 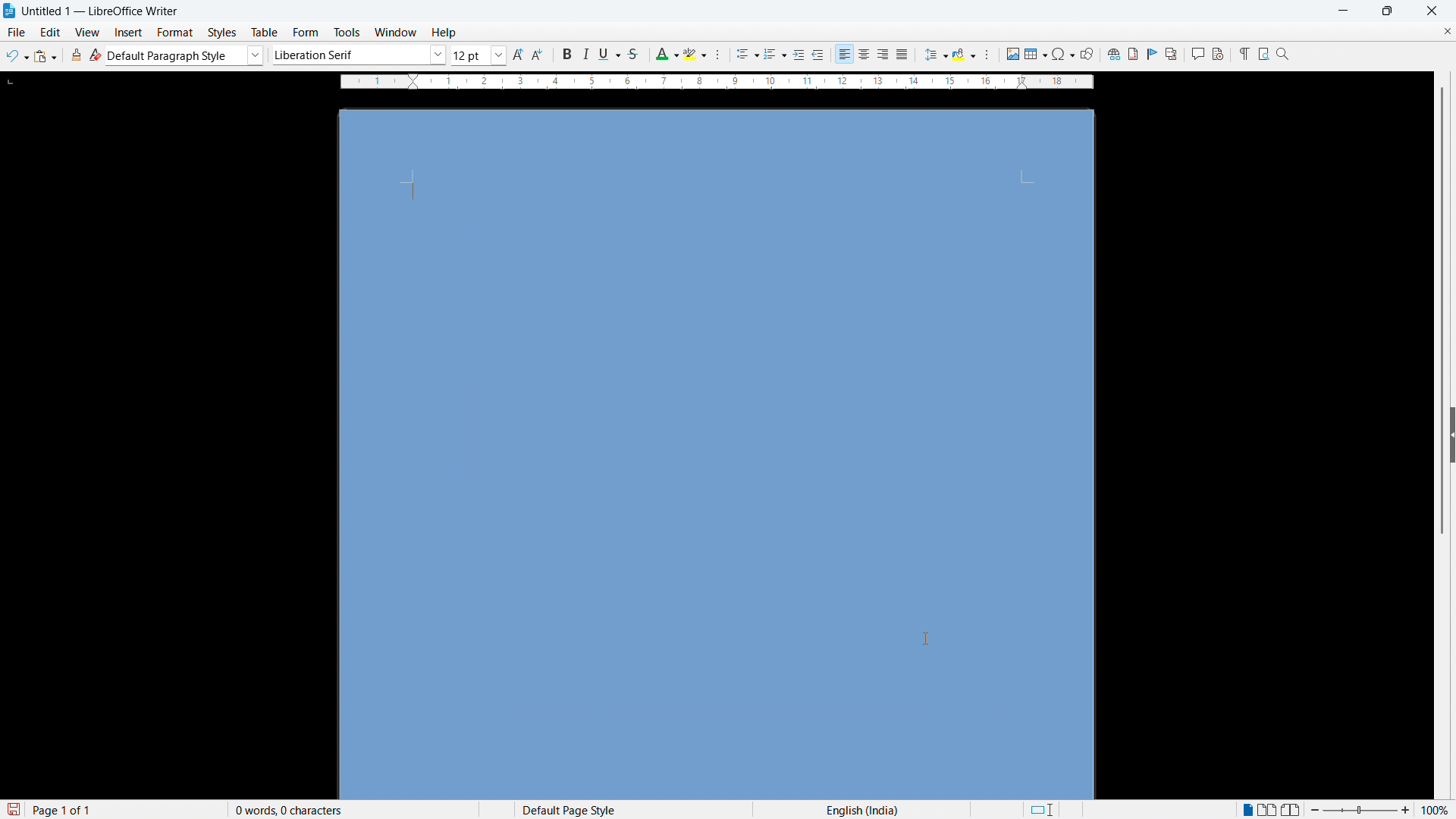 I want to click on Ruler , so click(x=717, y=82).